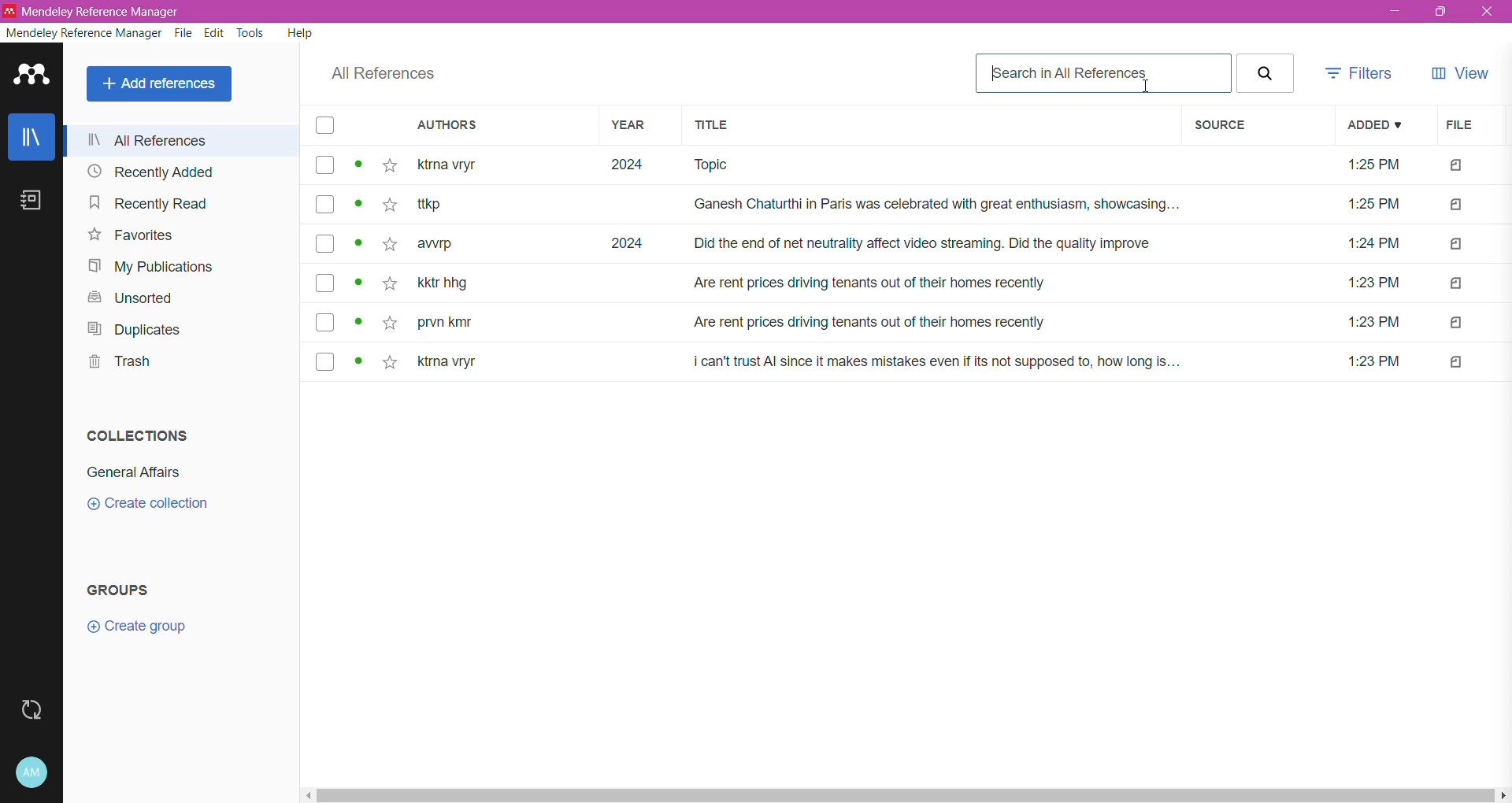 The width and height of the screenshot is (1512, 803). What do you see at coordinates (913, 362) in the screenshot?
I see `ktrna vryr i can't trust Al since it makes mistakes even if its not supposed to, how long is... 1:23 PM` at bounding box center [913, 362].